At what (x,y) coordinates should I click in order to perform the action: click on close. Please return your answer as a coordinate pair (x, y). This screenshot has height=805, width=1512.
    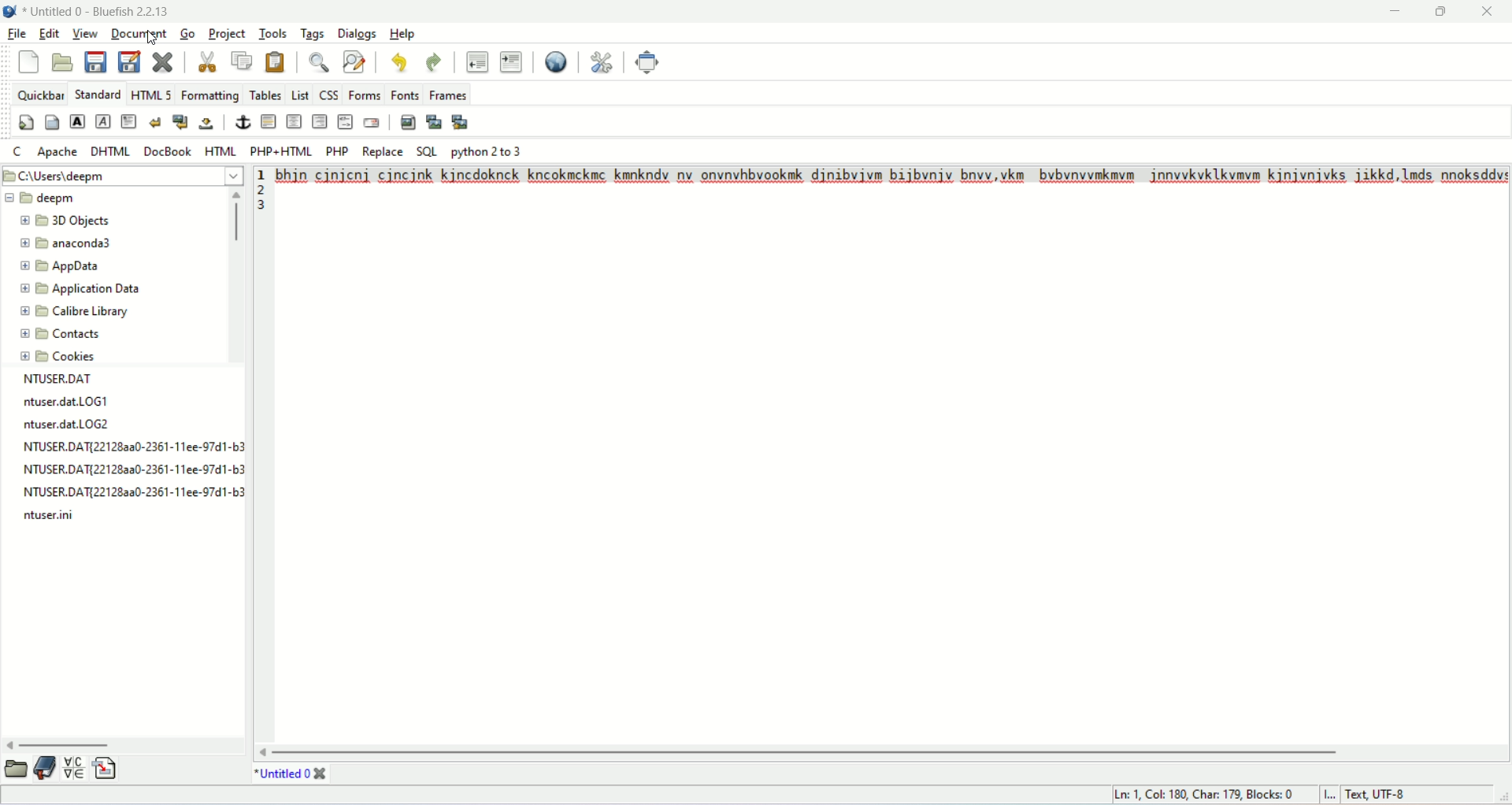
    Looking at the image, I should click on (1488, 12).